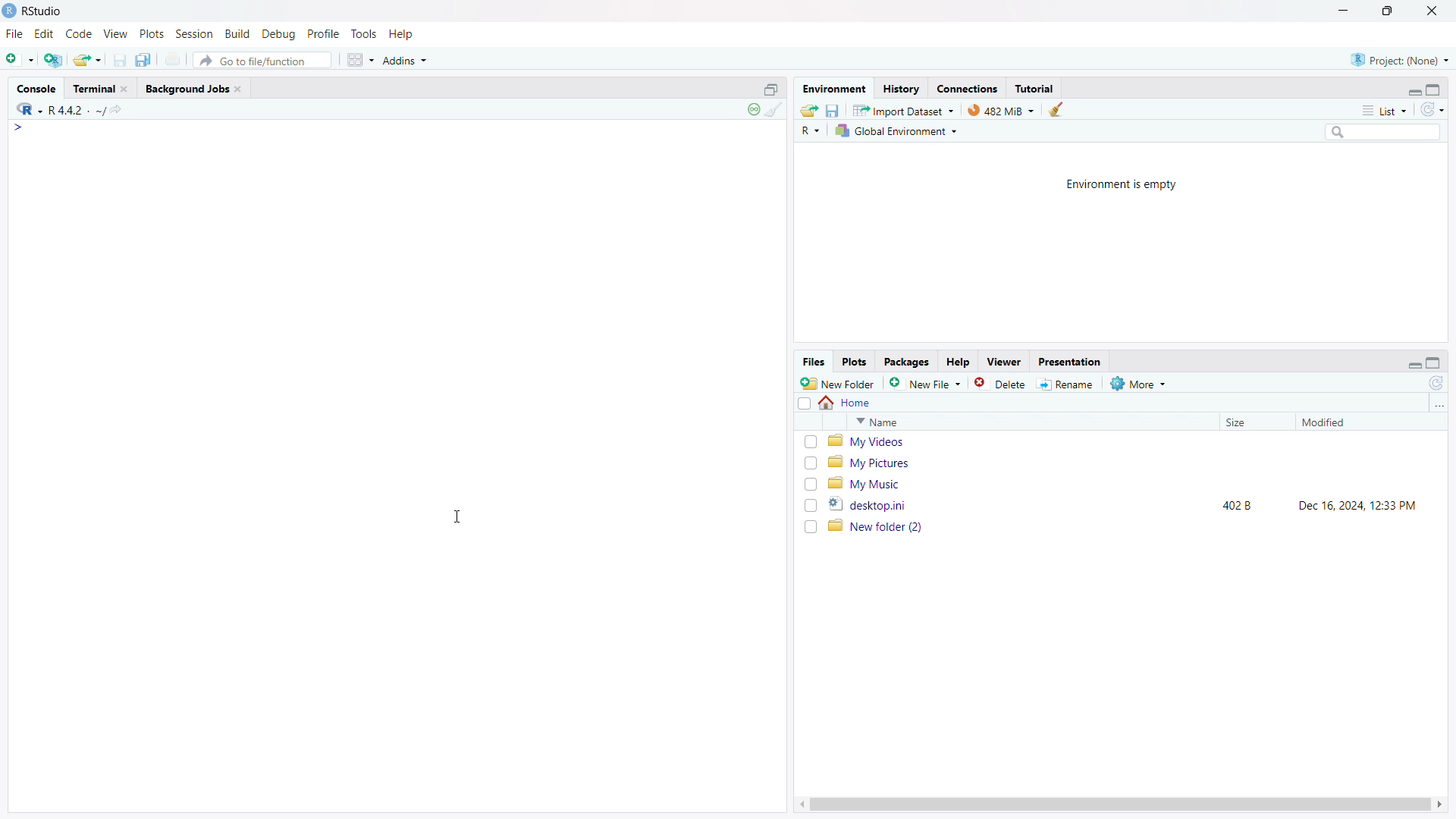 The width and height of the screenshot is (1456, 819). Describe the element at coordinates (1436, 383) in the screenshot. I see `refresh` at that location.